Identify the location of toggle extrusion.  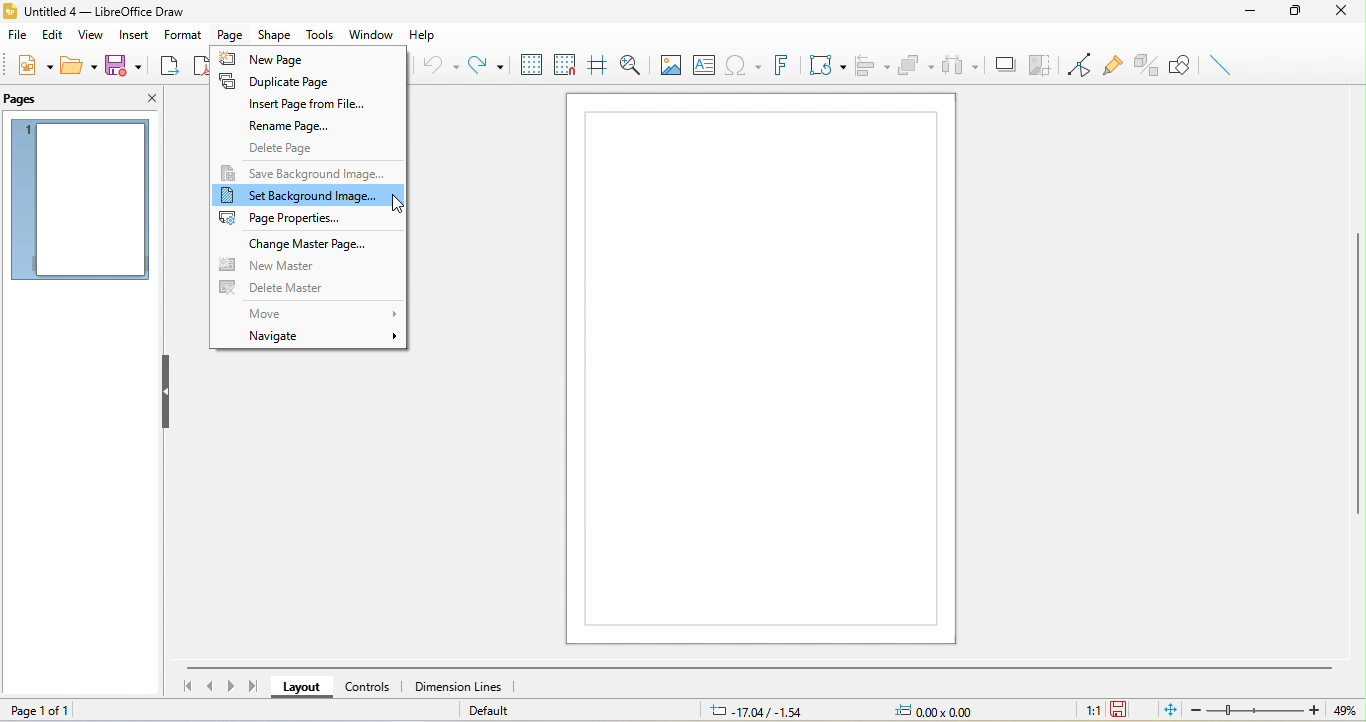
(1146, 64).